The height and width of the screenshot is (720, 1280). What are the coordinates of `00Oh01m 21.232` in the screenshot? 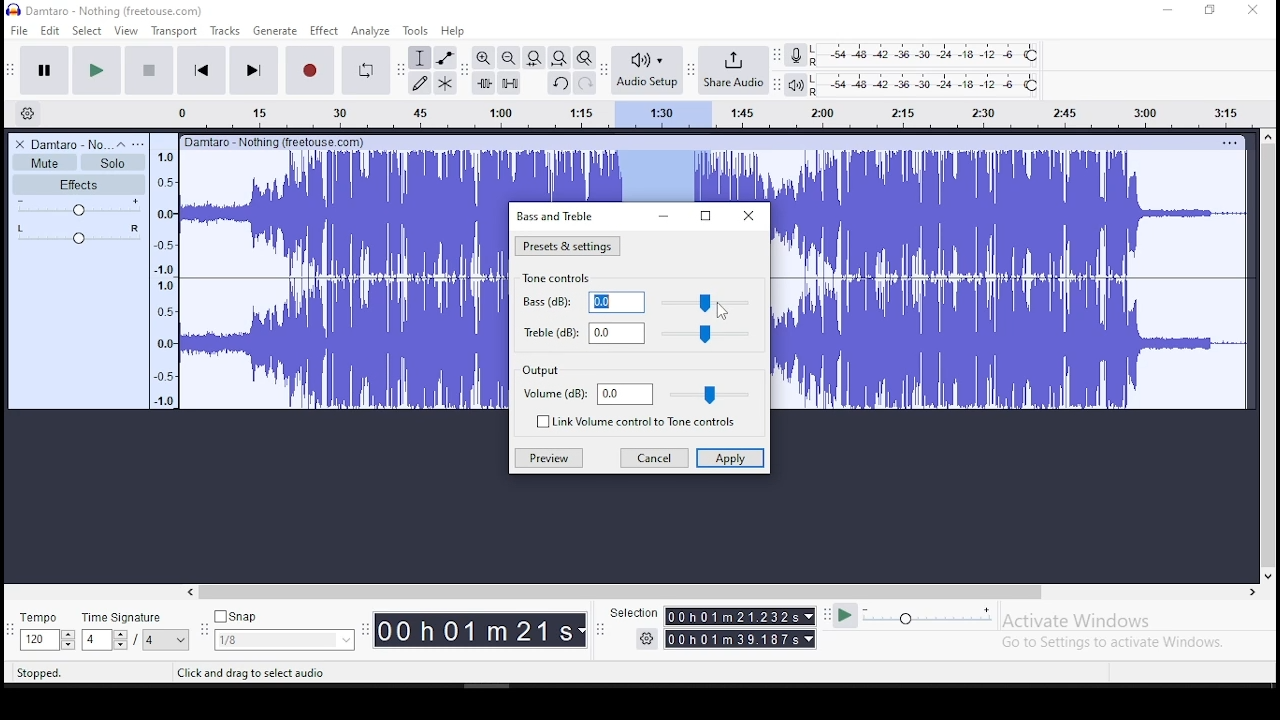 It's located at (731, 616).